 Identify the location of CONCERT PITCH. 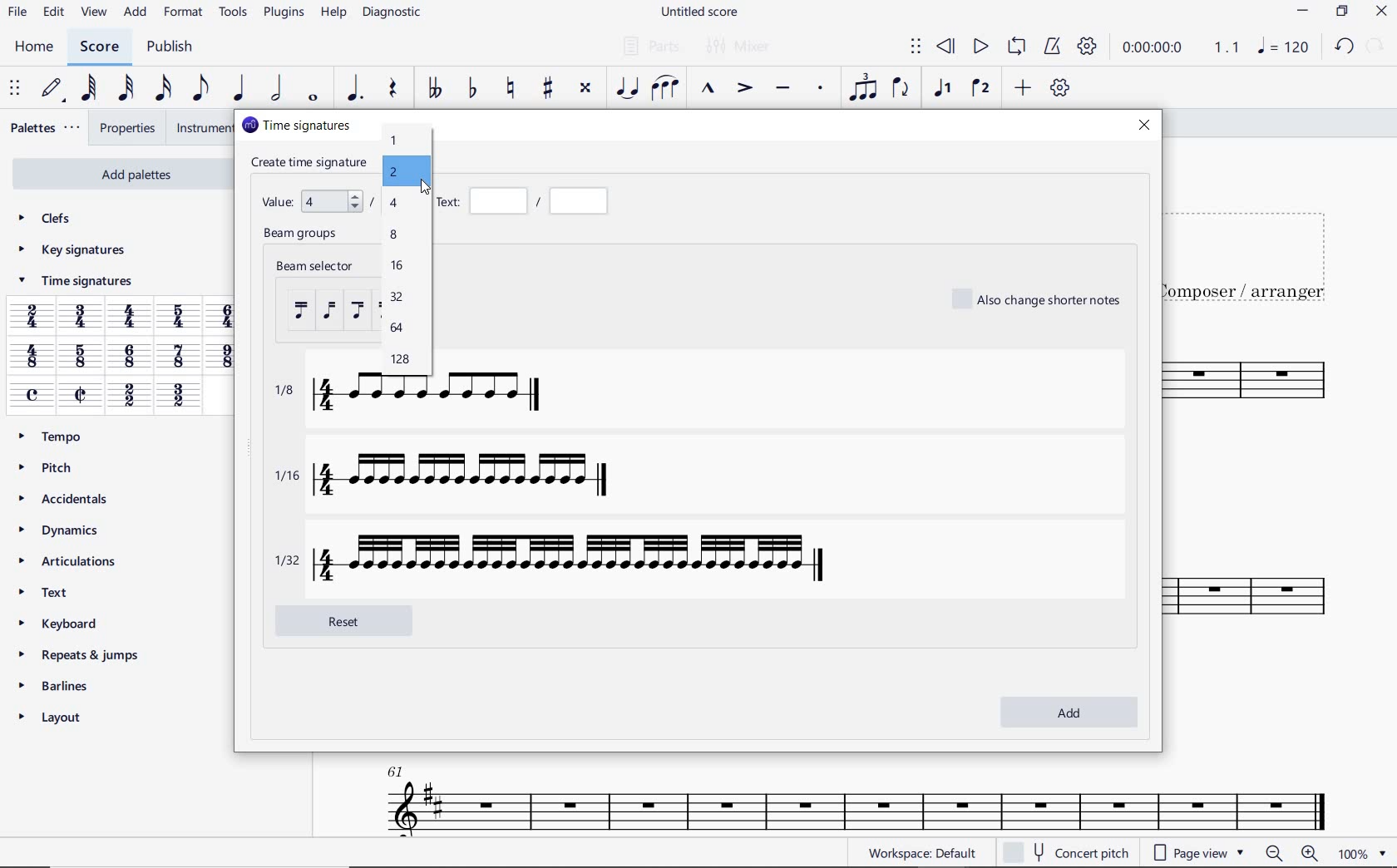
(1065, 851).